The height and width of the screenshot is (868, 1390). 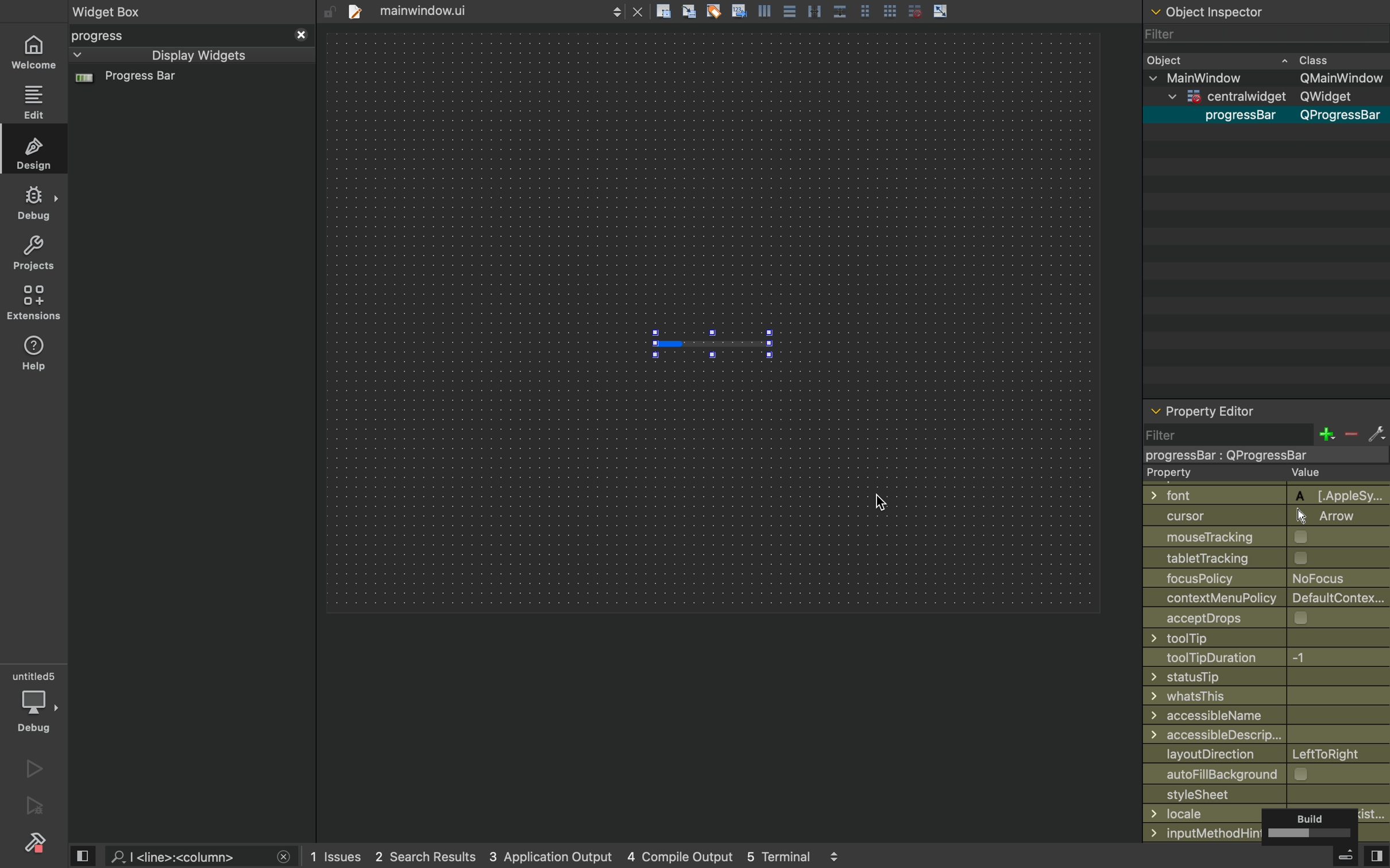 What do you see at coordinates (1251, 735) in the screenshot?
I see `accessible descrip` at bounding box center [1251, 735].